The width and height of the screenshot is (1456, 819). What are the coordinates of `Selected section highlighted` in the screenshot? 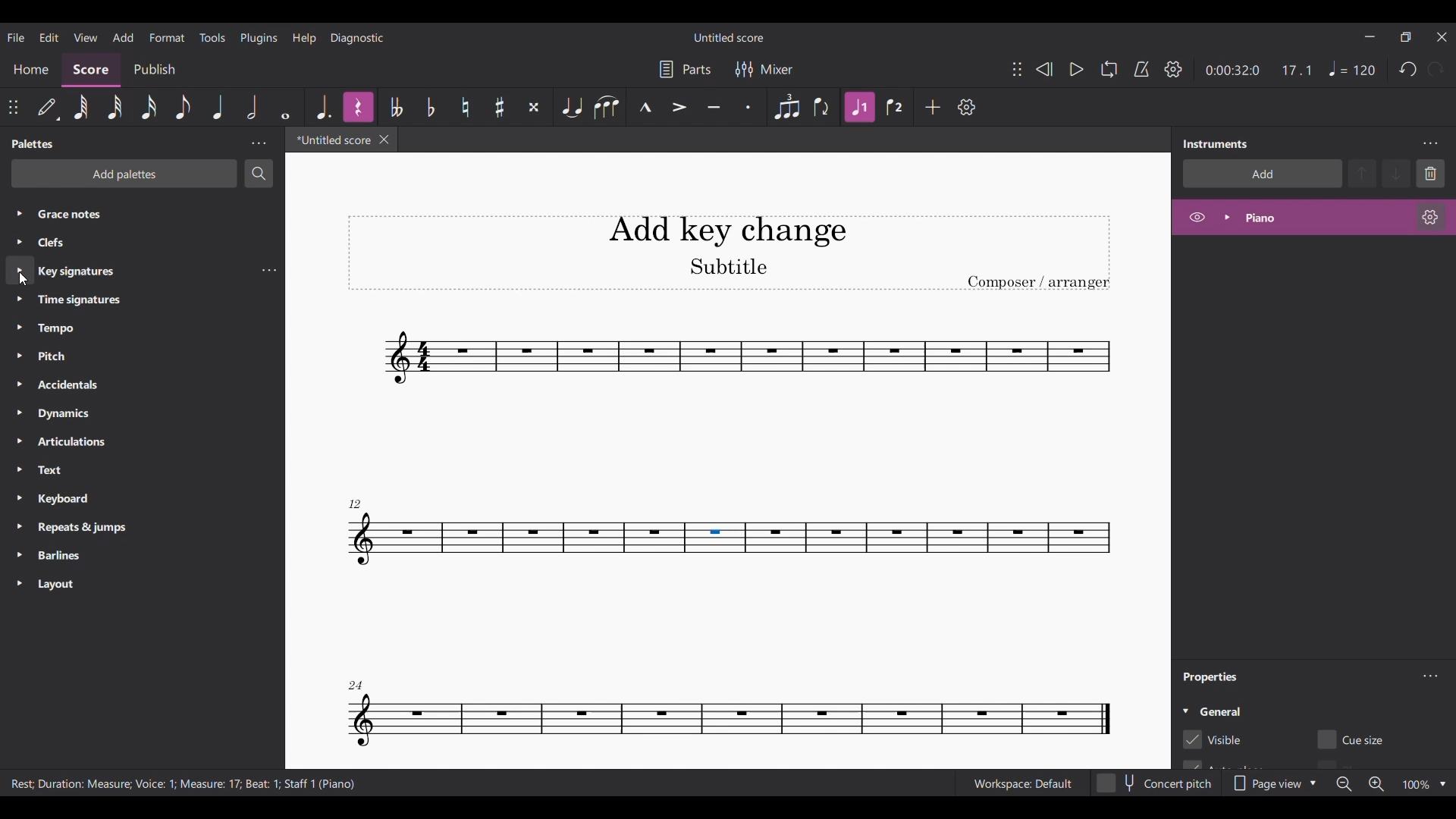 It's located at (715, 538).